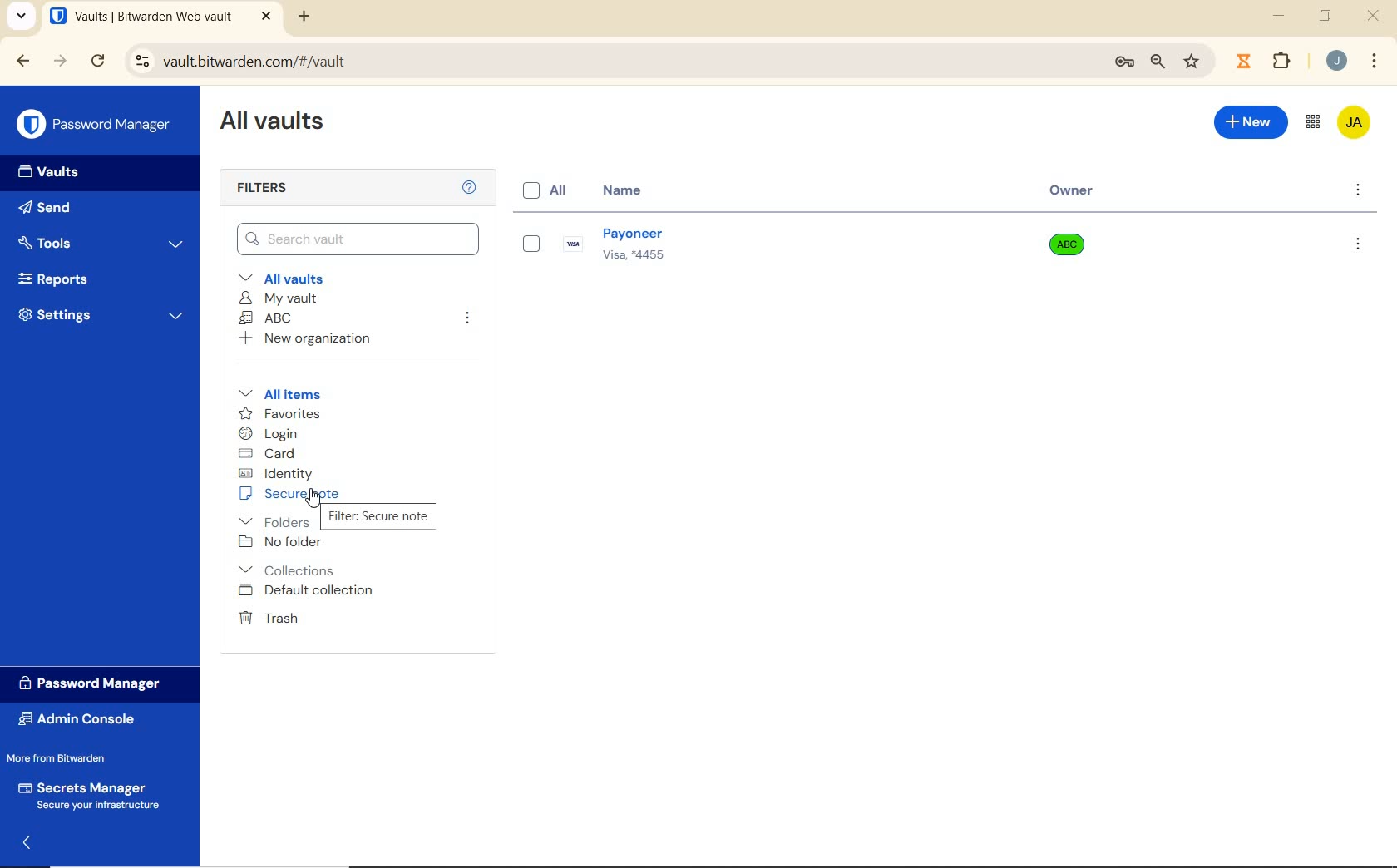  What do you see at coordinates (97, 684) in the screenshot?
I see `Password Manager` at bounding box center [97, 684].